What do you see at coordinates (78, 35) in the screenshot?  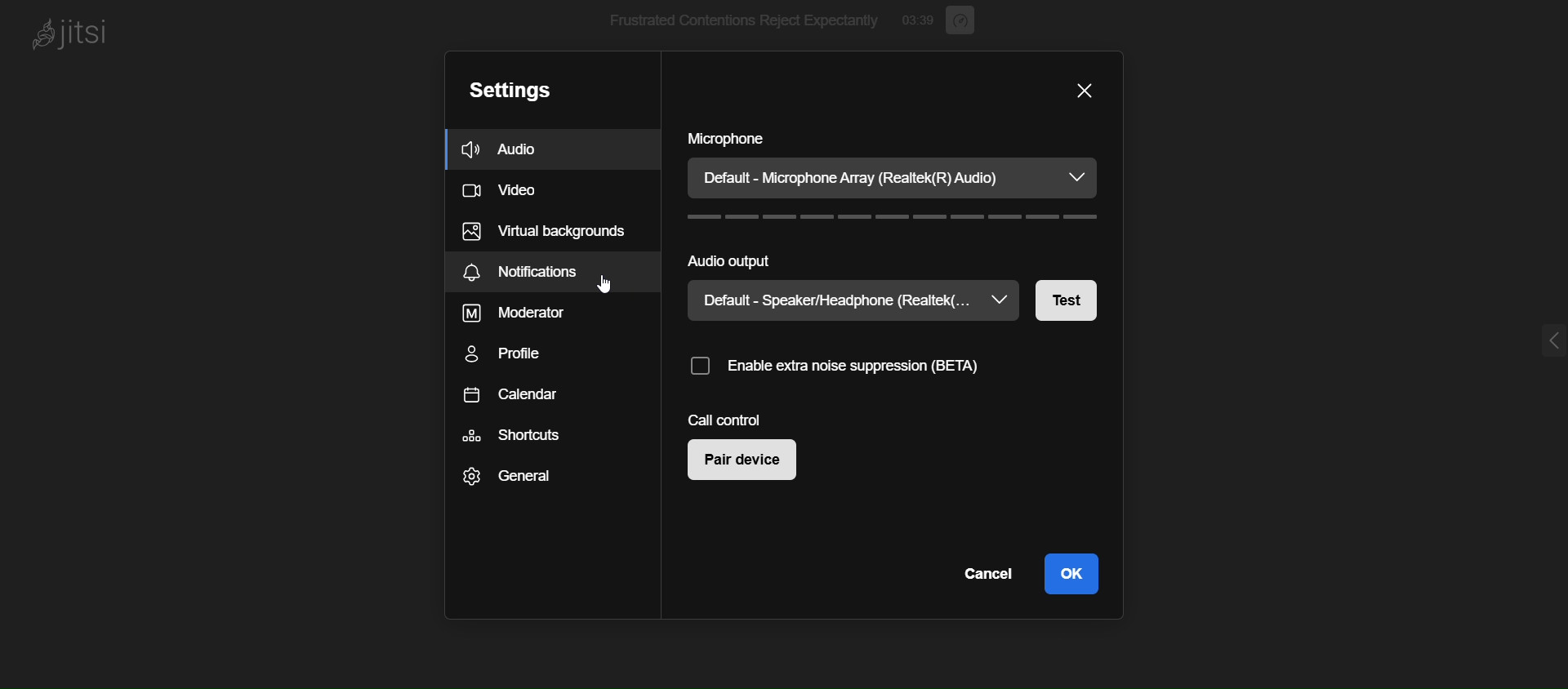 I see `Jitsi` at bounding box center [78, 35].